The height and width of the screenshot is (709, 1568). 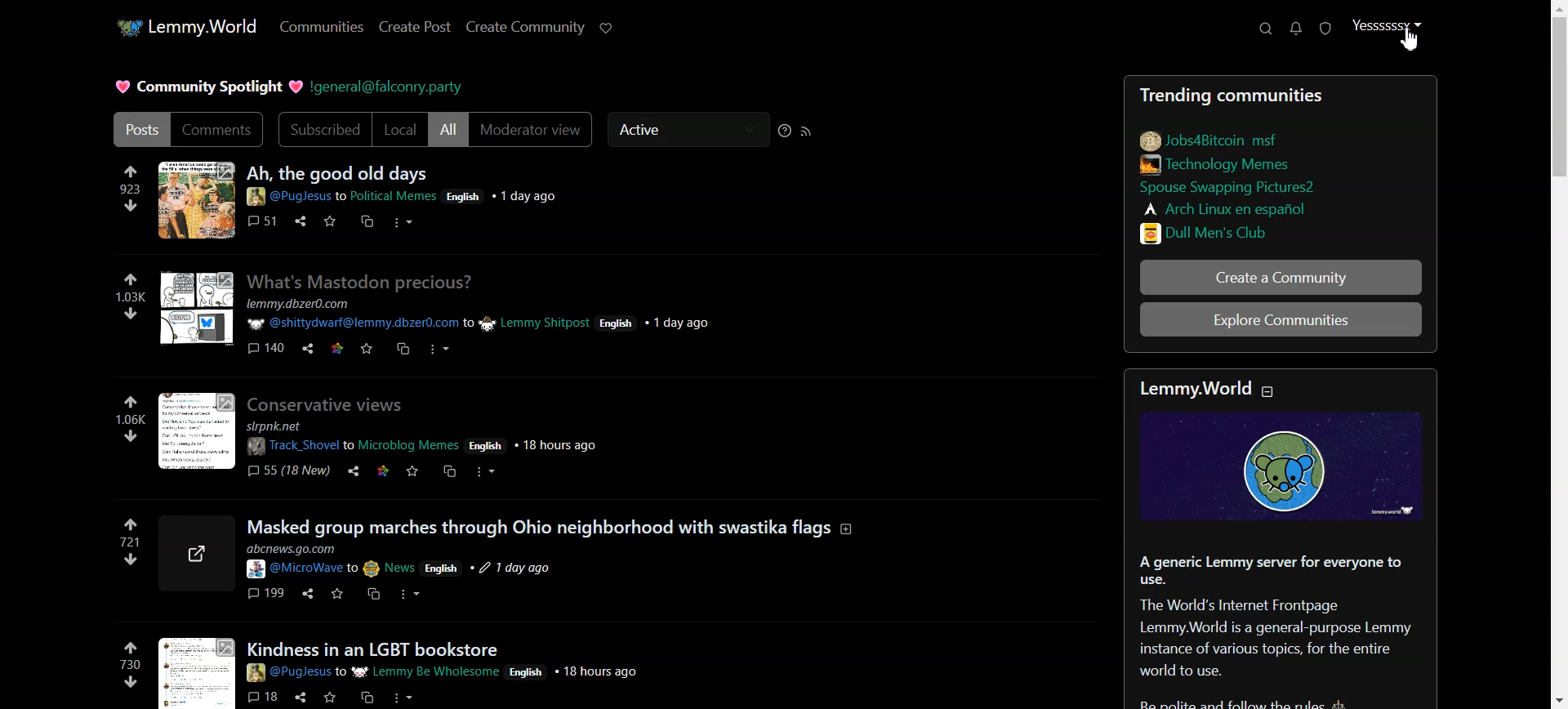 What do you see at coordinates (451, 671) in the screenshot?
I see `post details` at bounding box center [451, 671].